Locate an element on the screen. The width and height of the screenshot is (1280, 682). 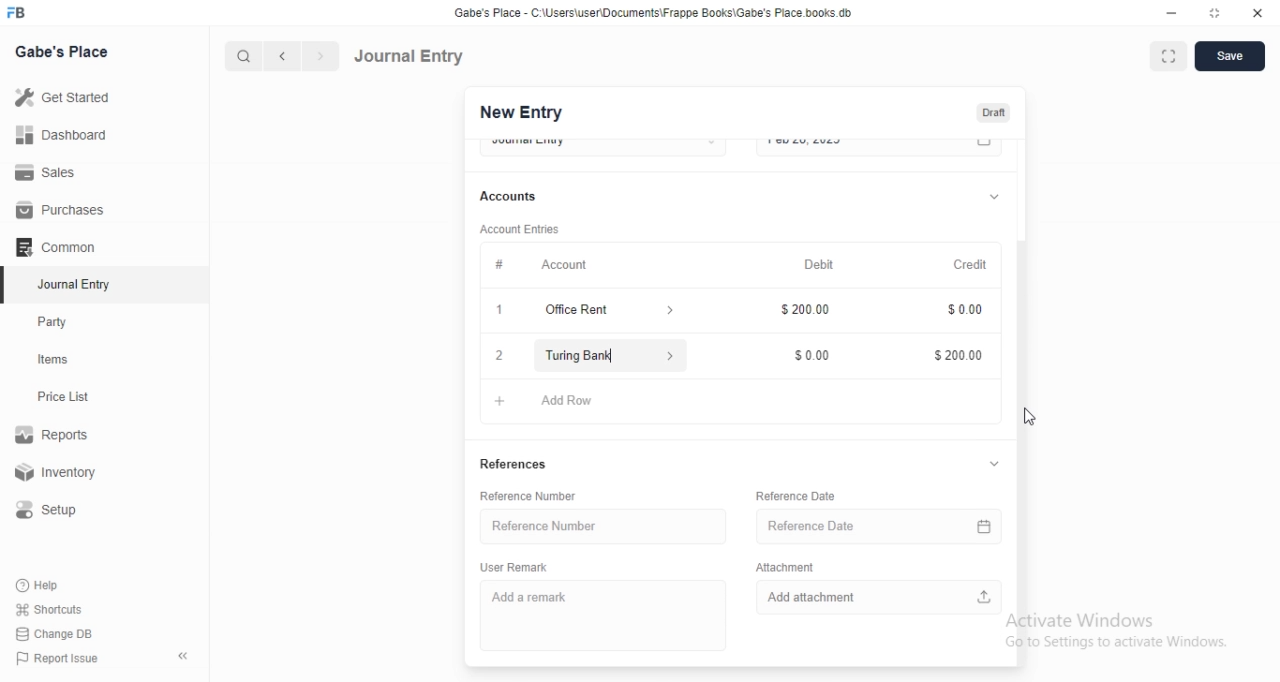
1 is located at coordinates (498, 307).